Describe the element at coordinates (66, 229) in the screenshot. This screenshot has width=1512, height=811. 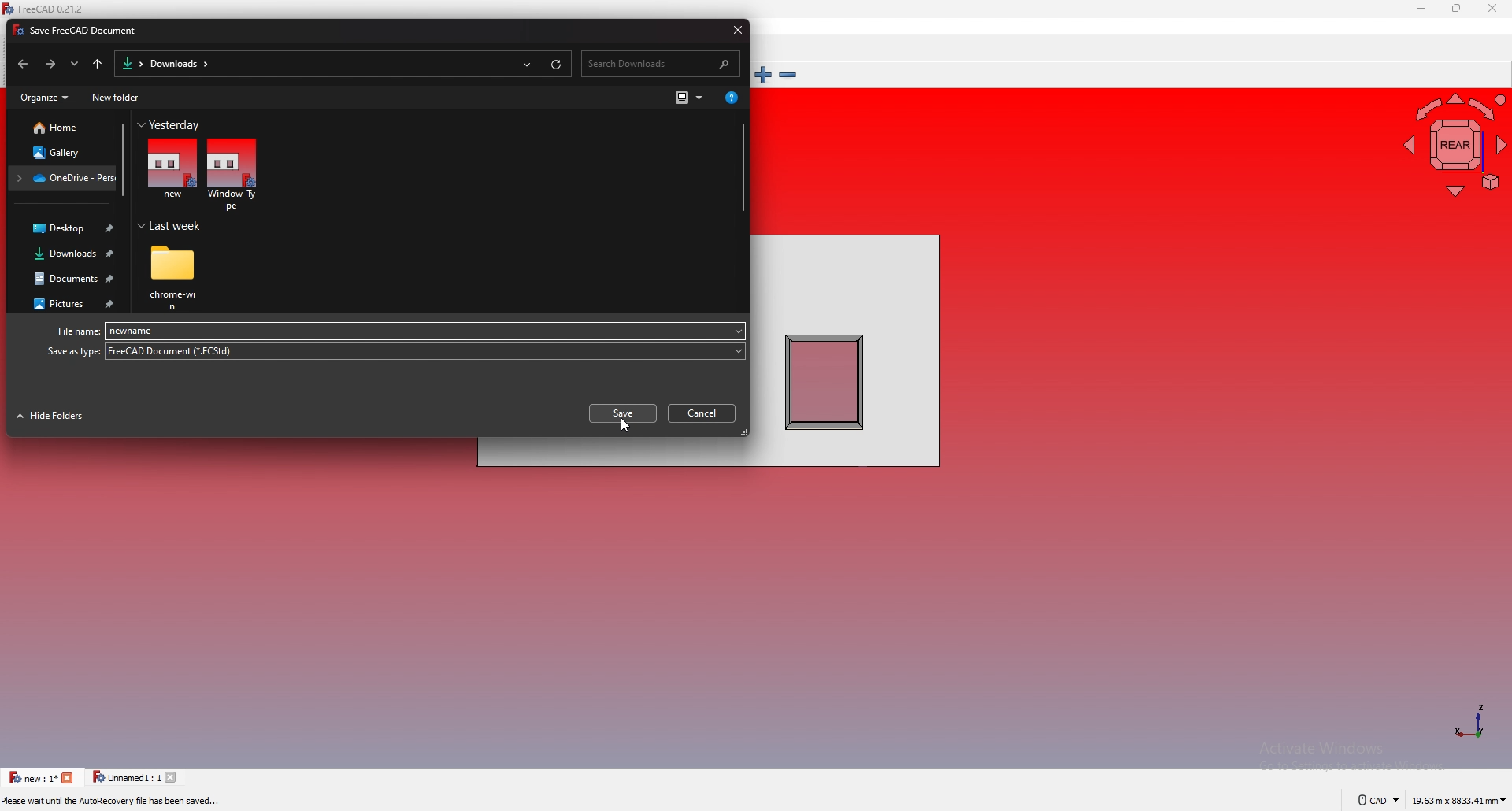
I see `desktop` at that location.